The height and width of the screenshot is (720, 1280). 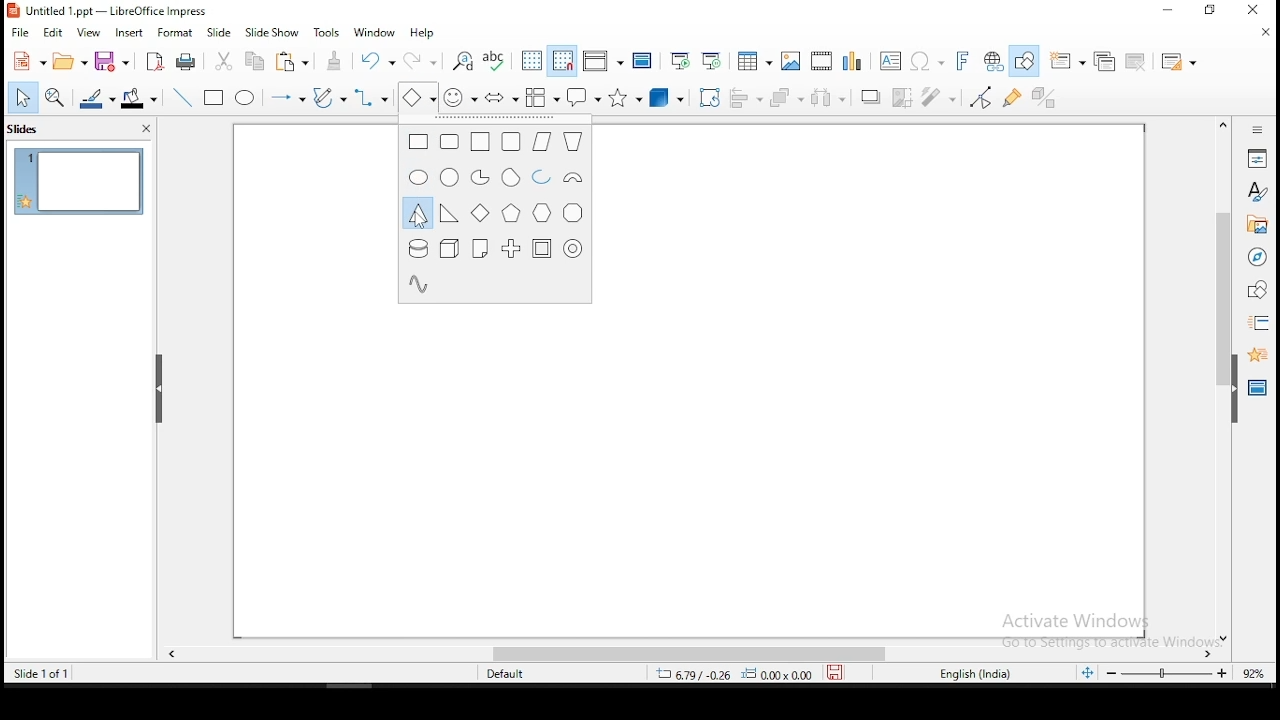 What do you see at coordinates (1089, 676) in the screenshot?
I see `fit to slide` at bounding box center [1089, 676].